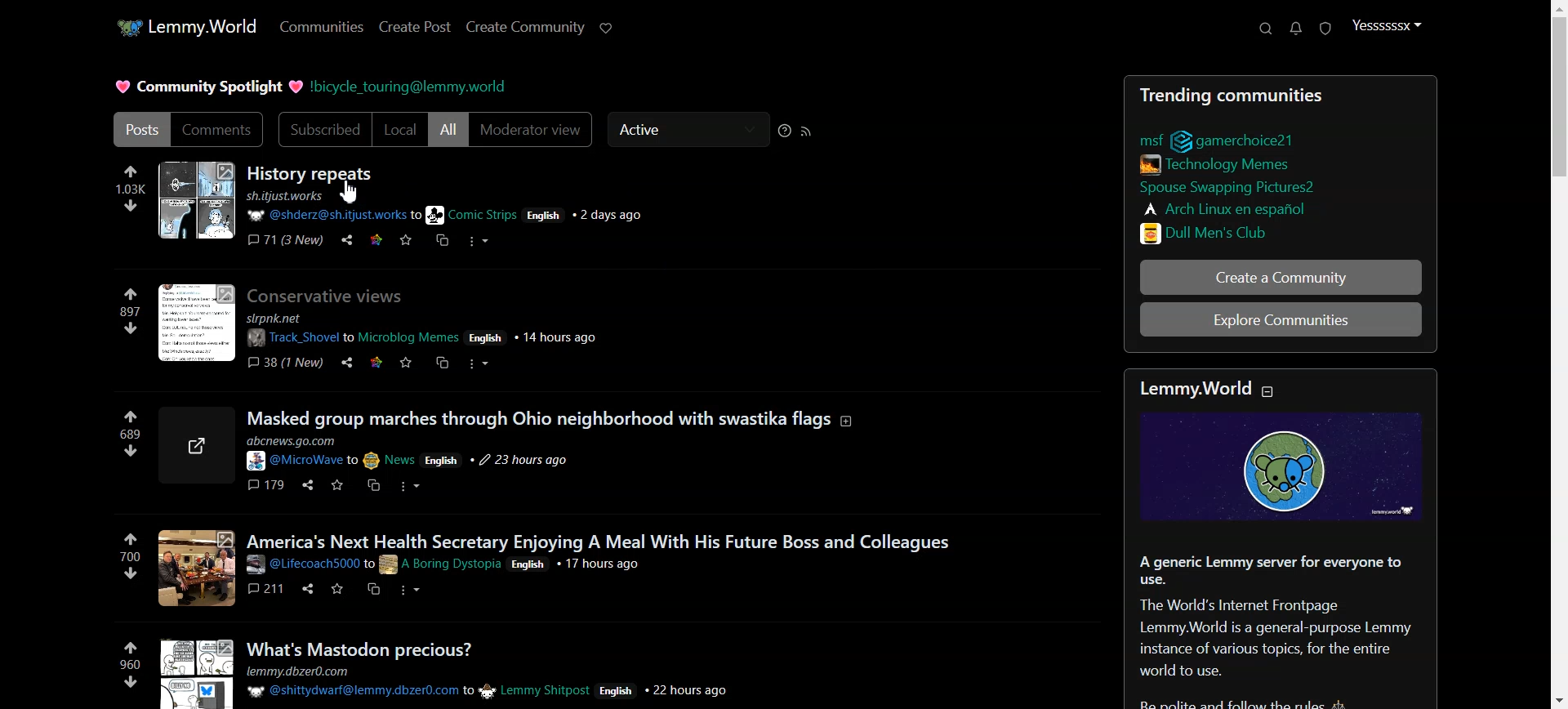  I want to click on Image, so click(1277, 465).